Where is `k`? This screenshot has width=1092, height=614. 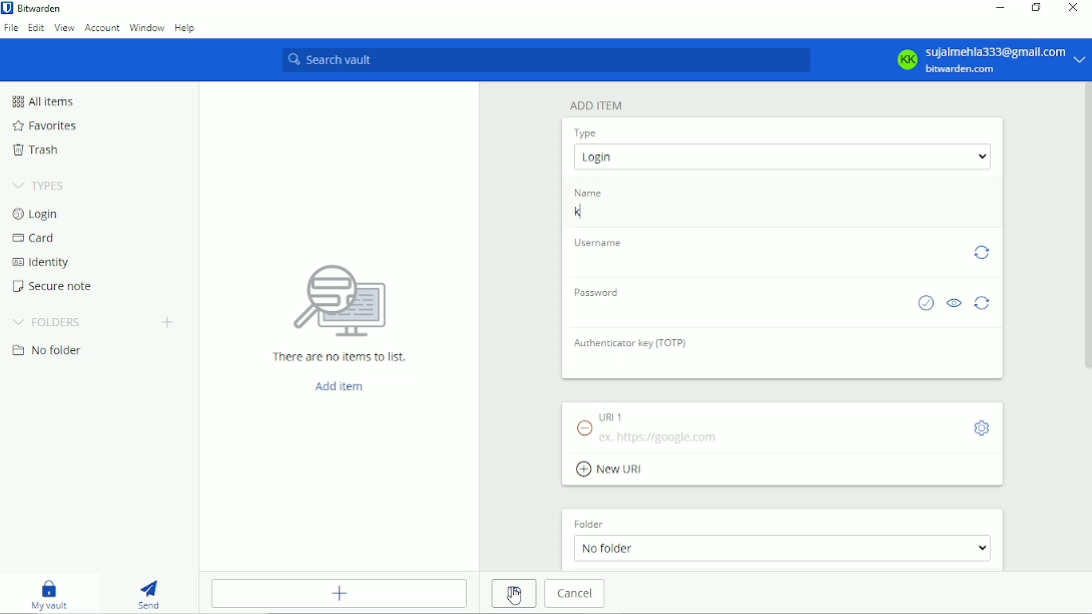 k is located at coordinates (780, 215).